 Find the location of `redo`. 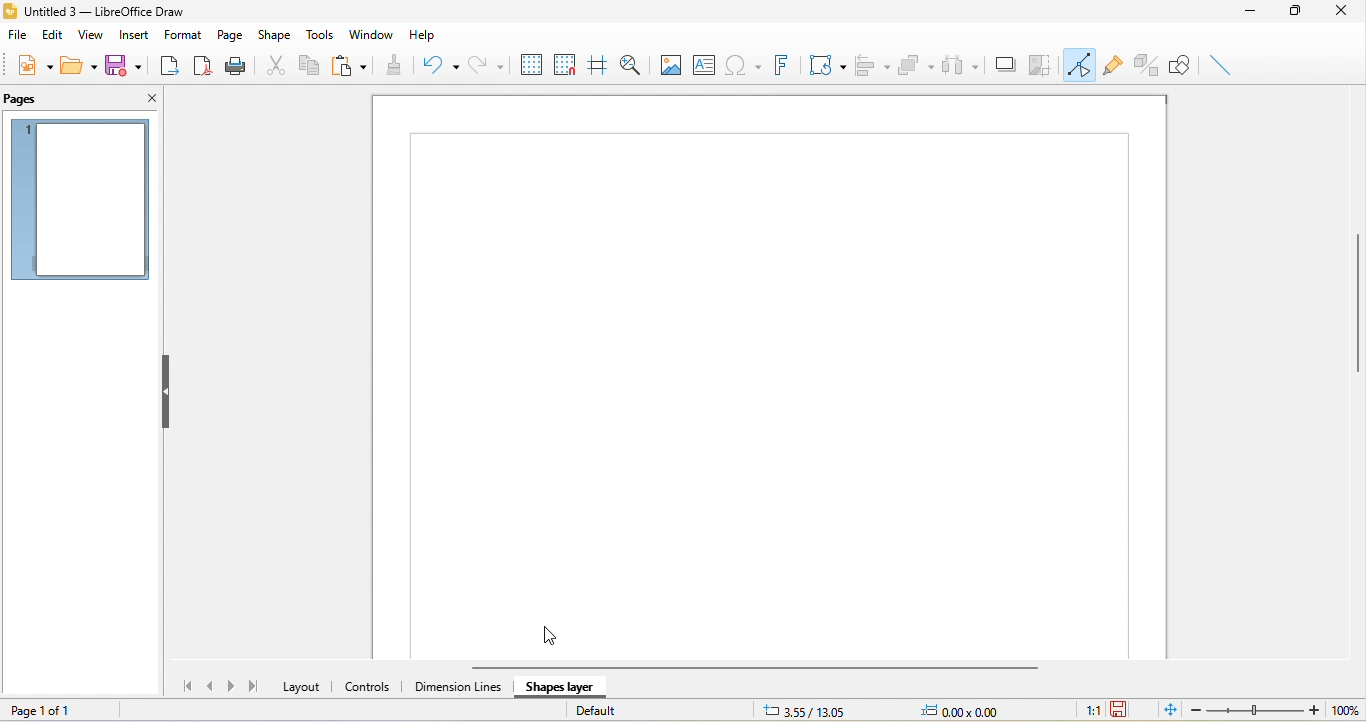

redo is located at coordinates (485, 63).